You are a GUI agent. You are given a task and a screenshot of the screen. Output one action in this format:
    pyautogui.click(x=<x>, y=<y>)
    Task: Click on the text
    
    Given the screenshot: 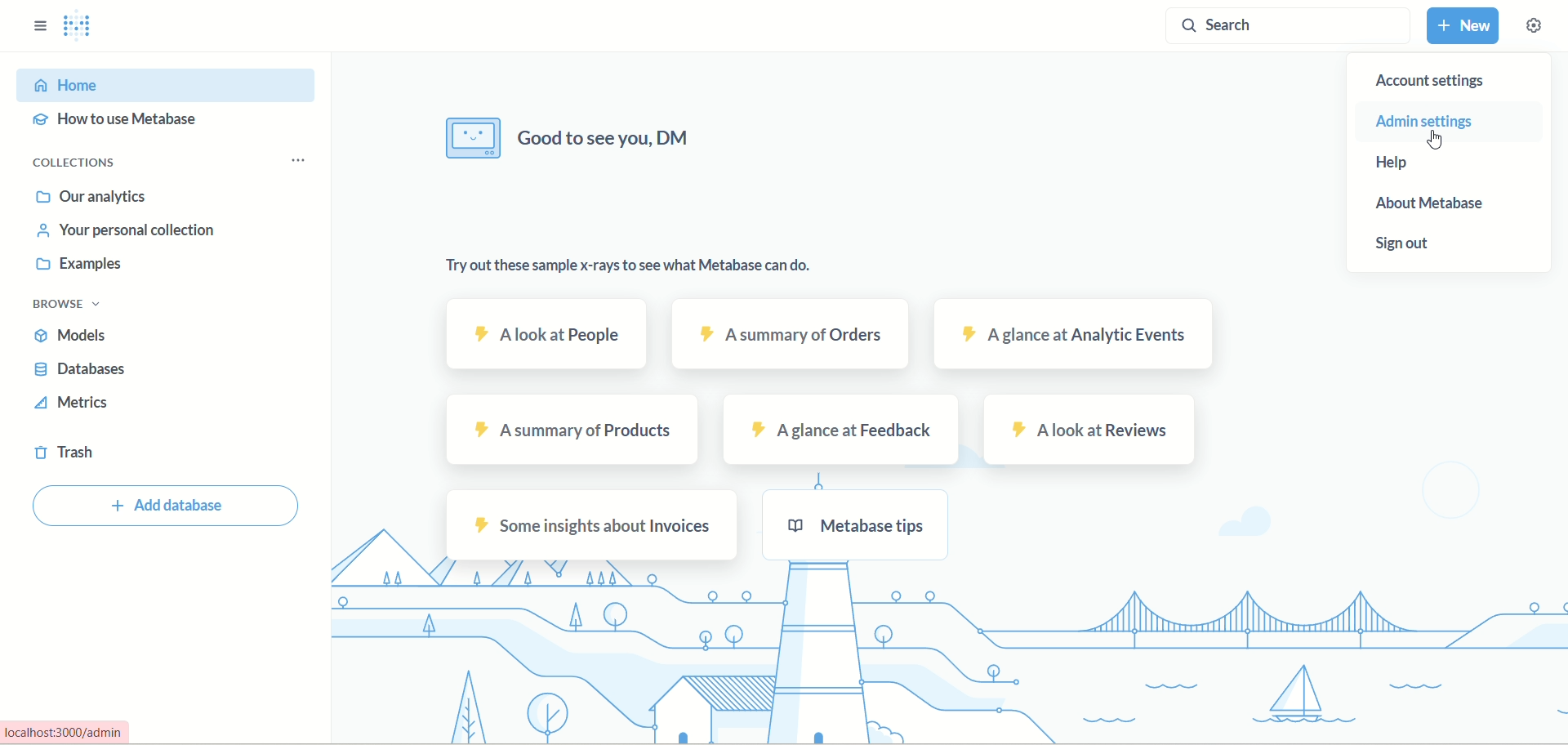 What is the action you would take?
    pyautogui.click(x=572, y=140)
    